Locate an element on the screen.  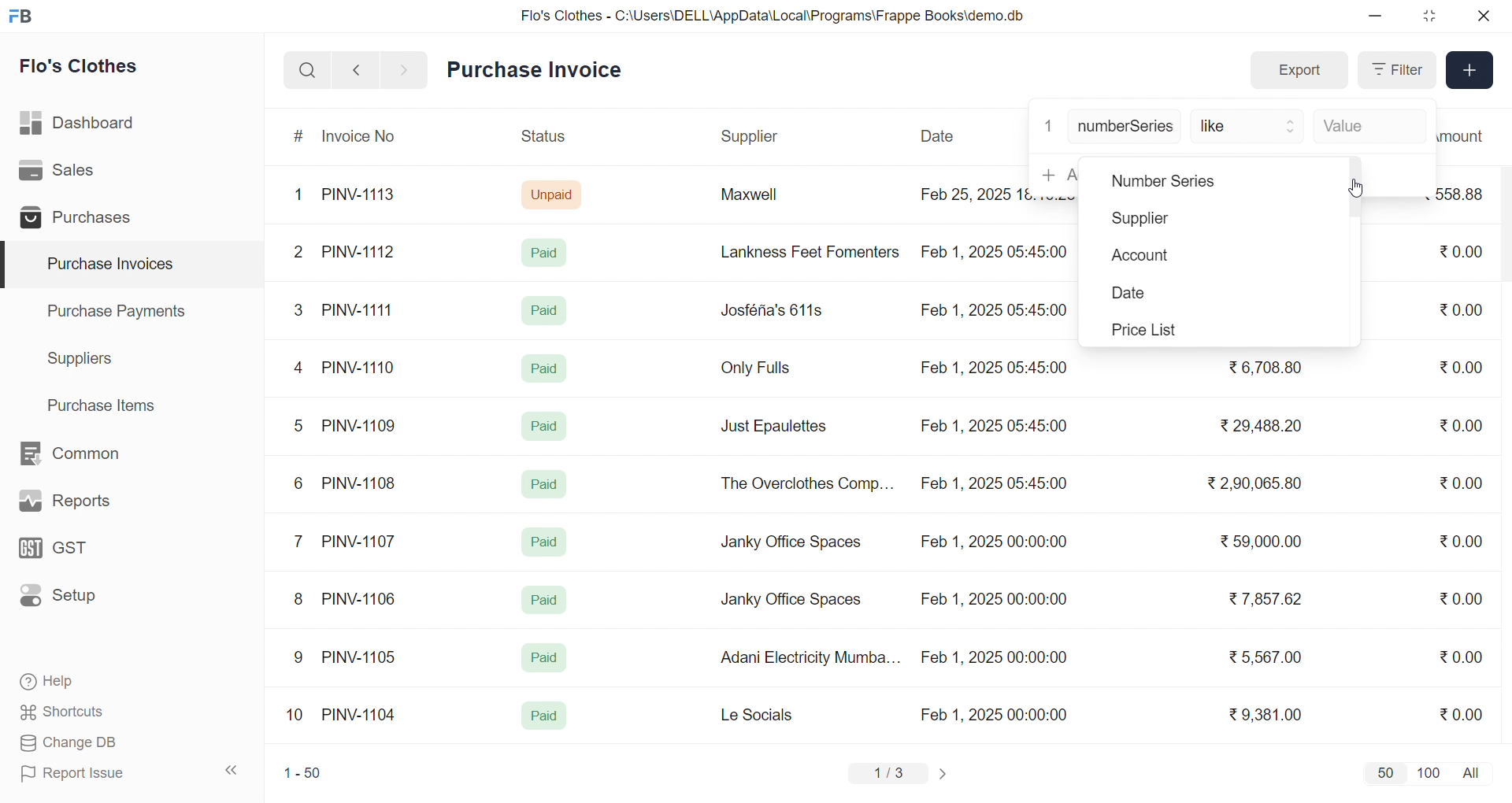
logo is located at coordinates (24, 17).